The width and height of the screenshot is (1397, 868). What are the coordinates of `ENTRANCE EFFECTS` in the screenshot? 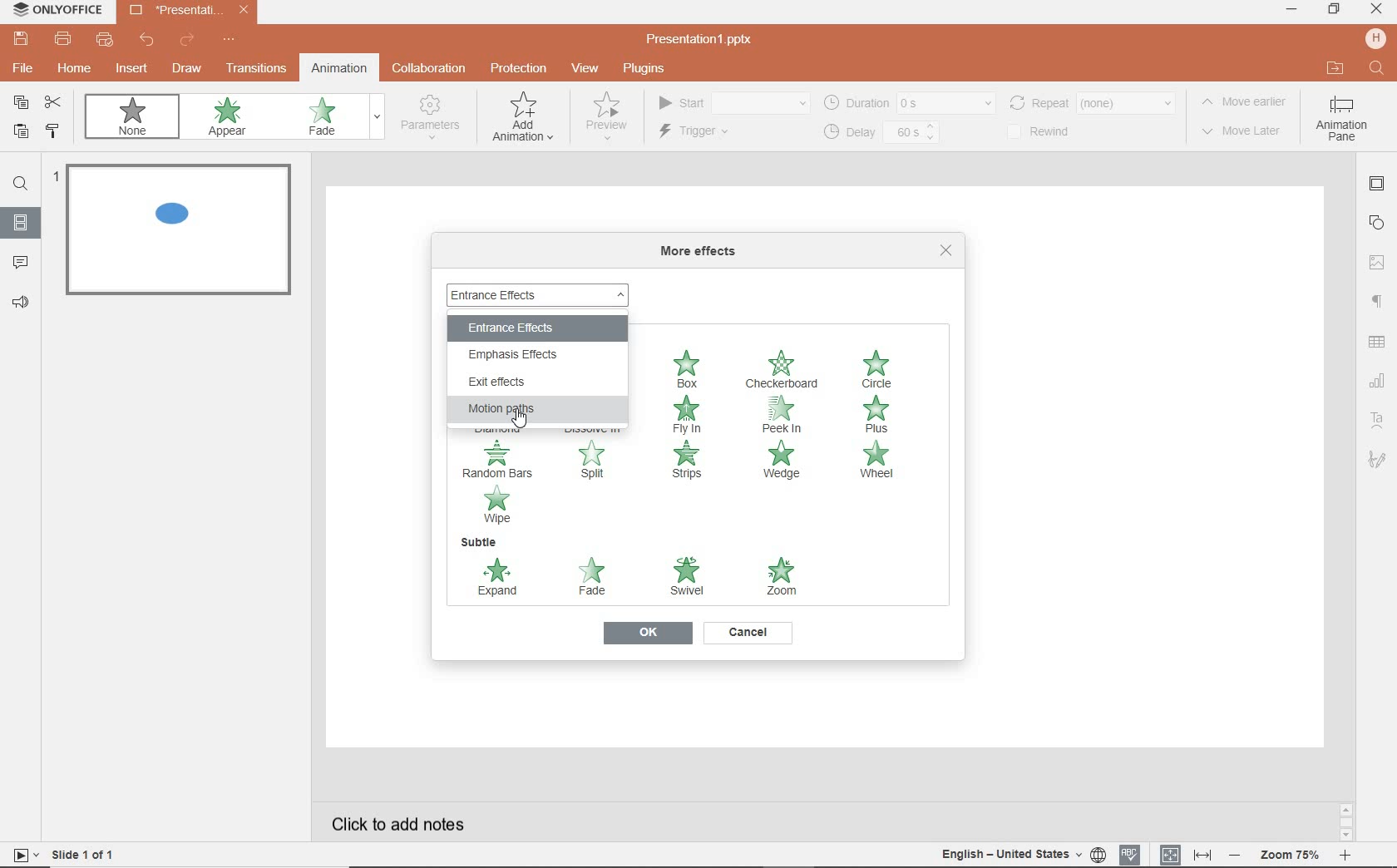 It's located at (522, 325).